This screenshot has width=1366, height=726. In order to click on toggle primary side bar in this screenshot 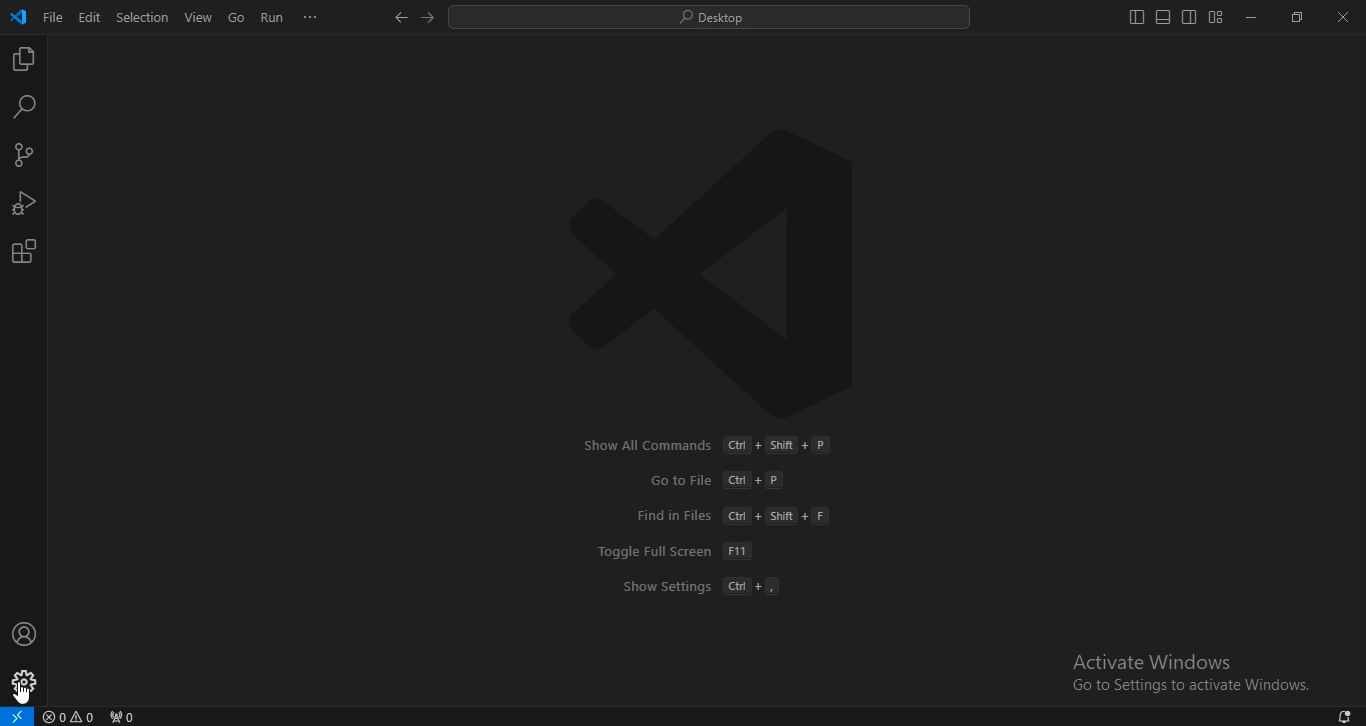, I will do `click(1137, 17)`.